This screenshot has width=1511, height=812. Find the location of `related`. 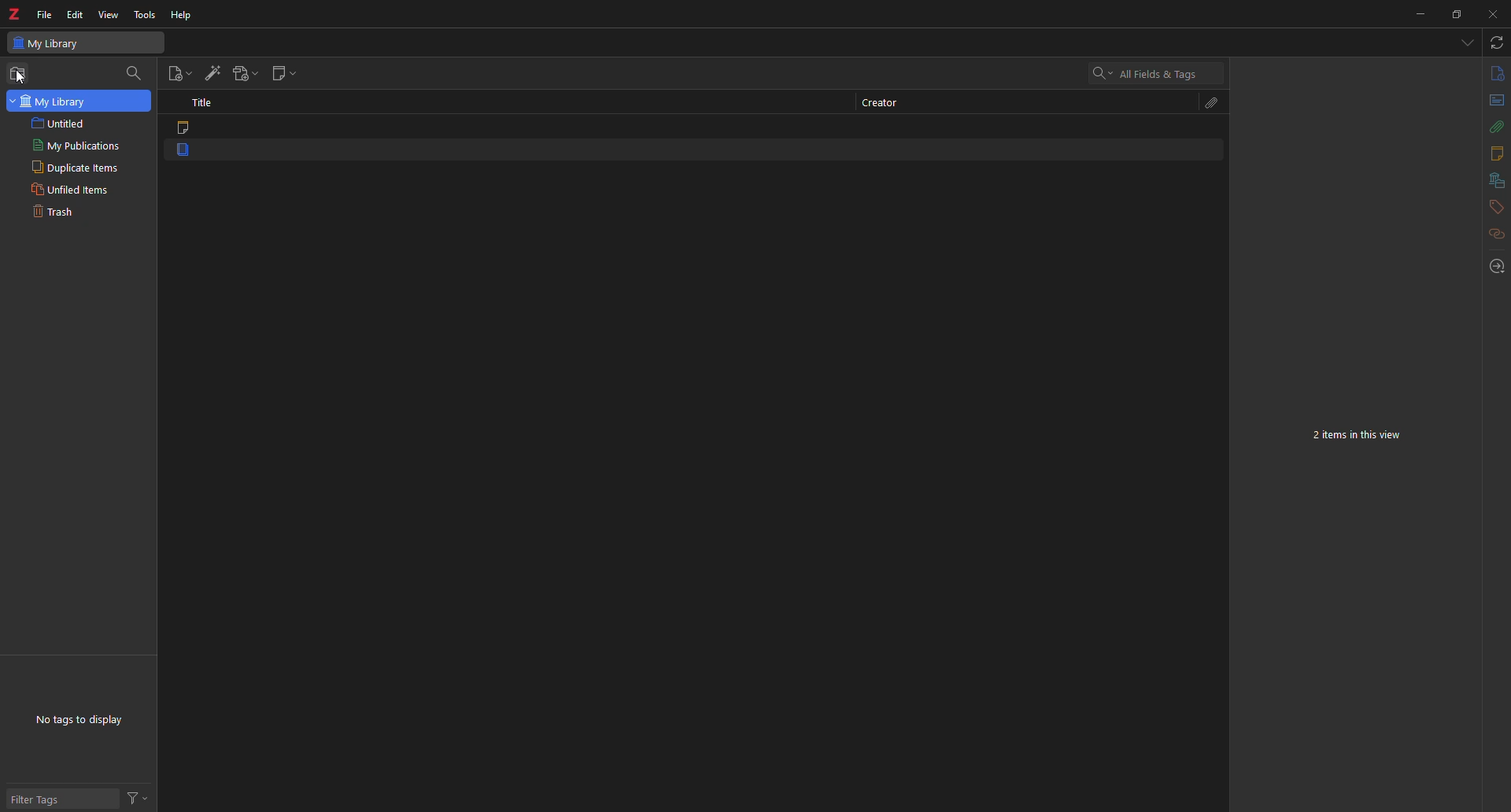

related is located at coordinates (1488, 238).